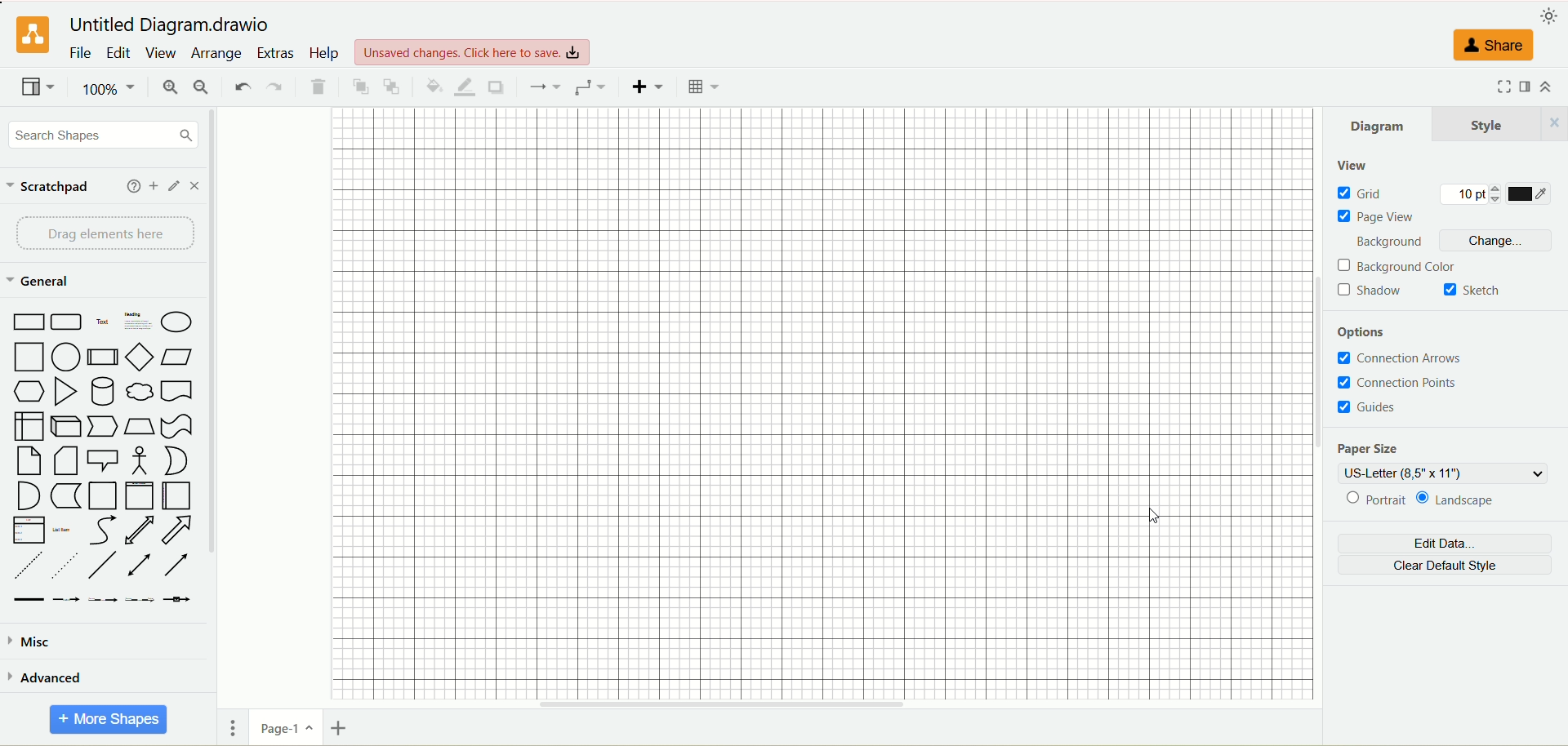  What do you see at coordinates (242, 86) in the screenshot?
I see `undo` at bounding box center [242, 86].